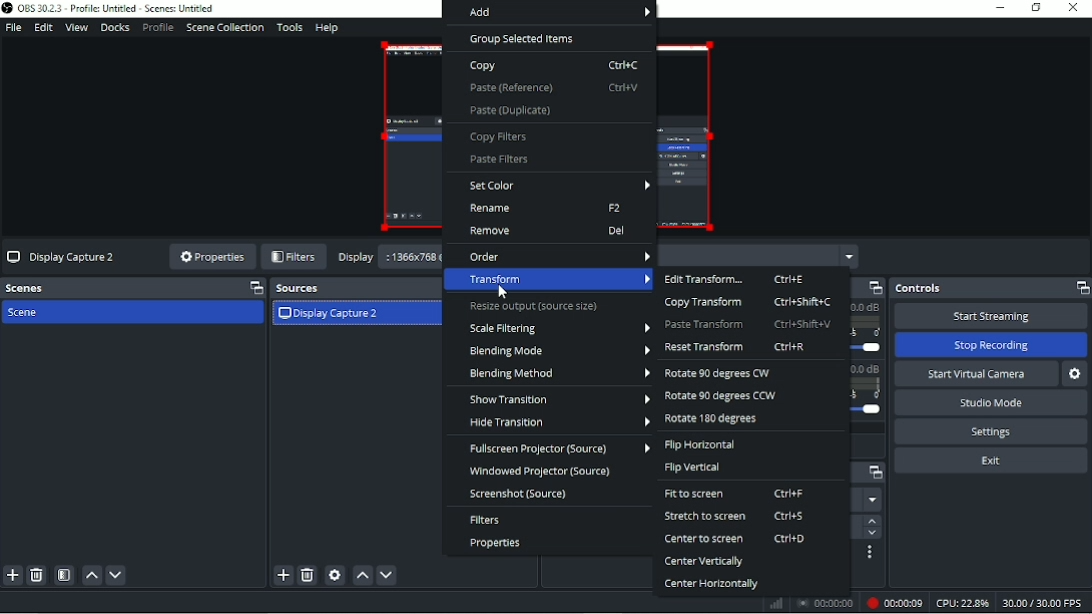 The image size is (1092, 614). I want to click on Up arrow, so click(871, 521).